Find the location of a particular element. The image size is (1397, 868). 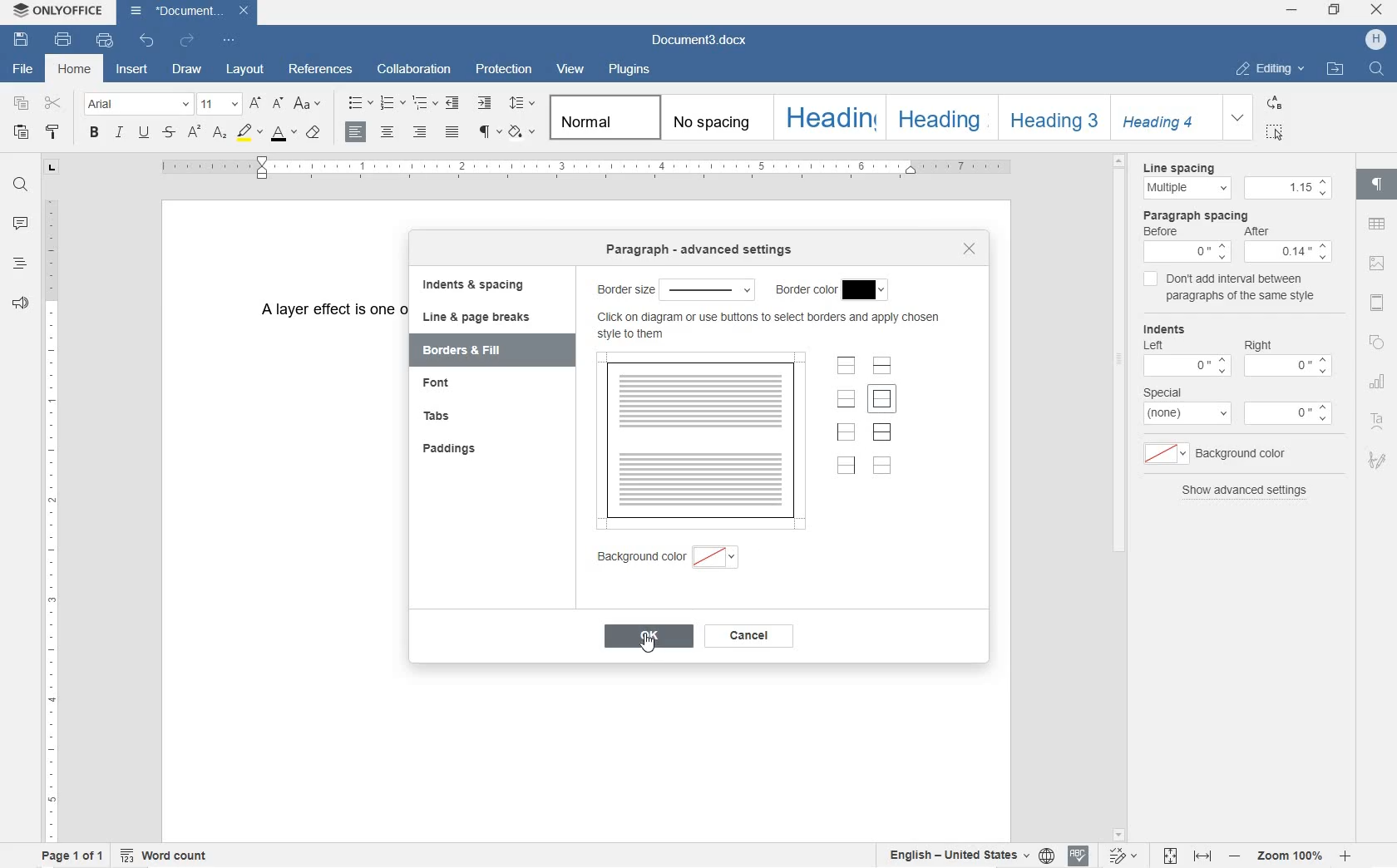

PLUGINS is located at coordinates (628, 70).